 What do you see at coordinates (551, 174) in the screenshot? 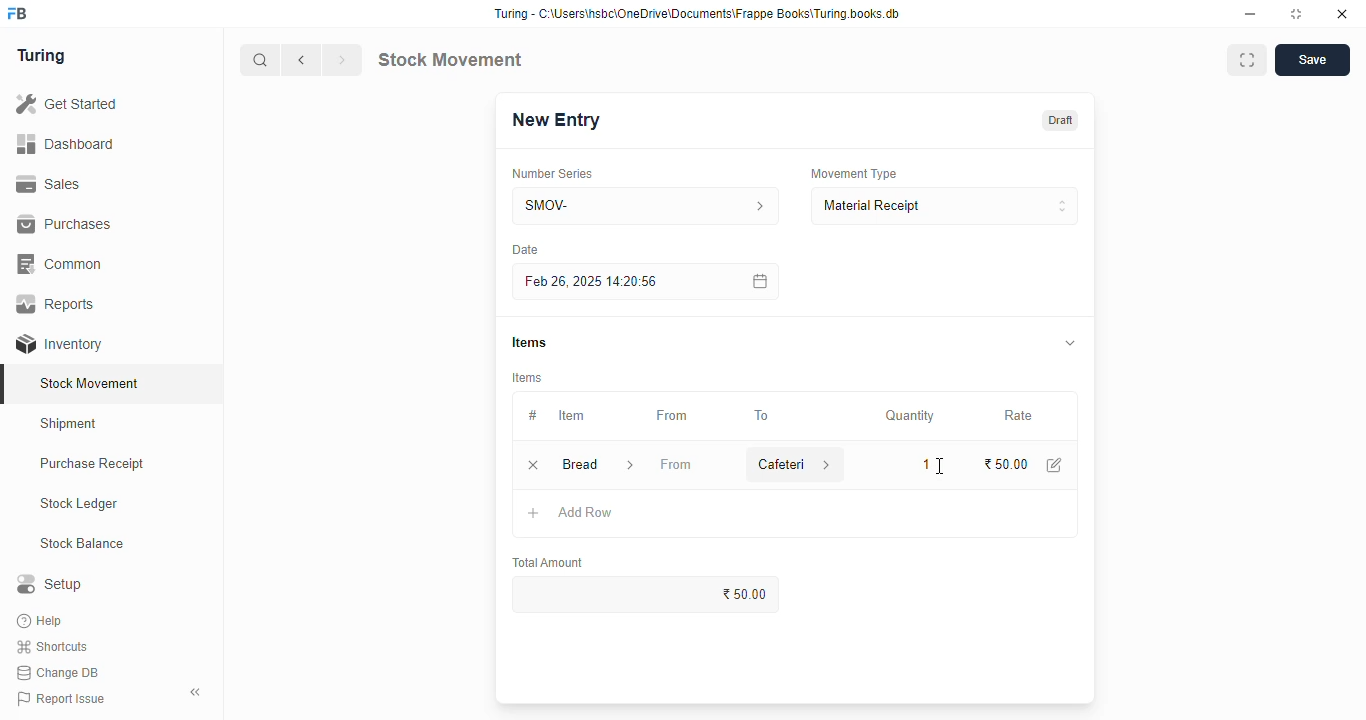
I see `number series` at bounding box center [551, 174].